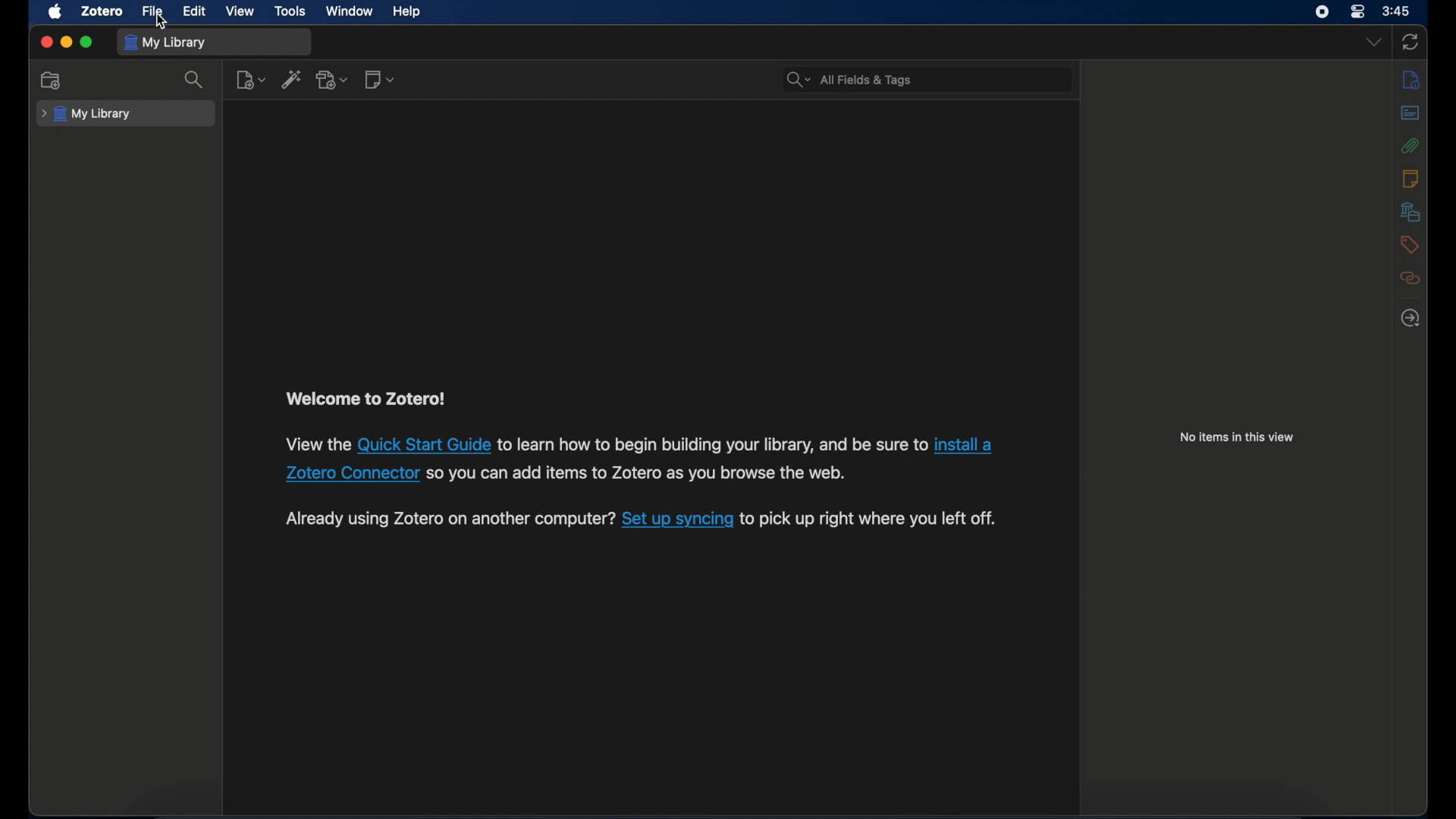 The image size is (1456, 819). What do you see at coordinates (334, 80) in the screenshot?
I see `add attachment` at bounding box center [334, 80].